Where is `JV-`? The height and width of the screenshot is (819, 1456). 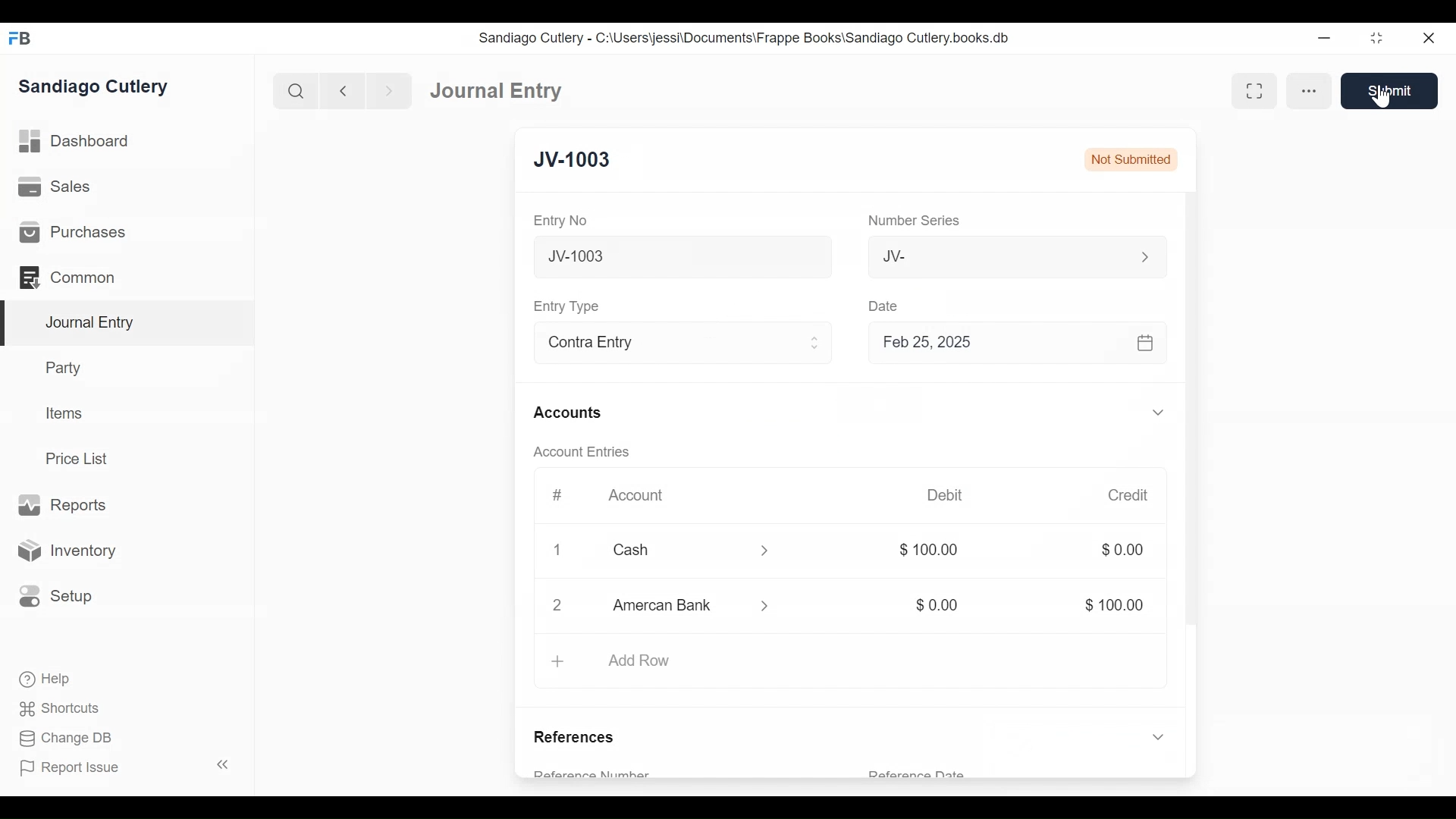 JV- is located at coordinates (998, 256).